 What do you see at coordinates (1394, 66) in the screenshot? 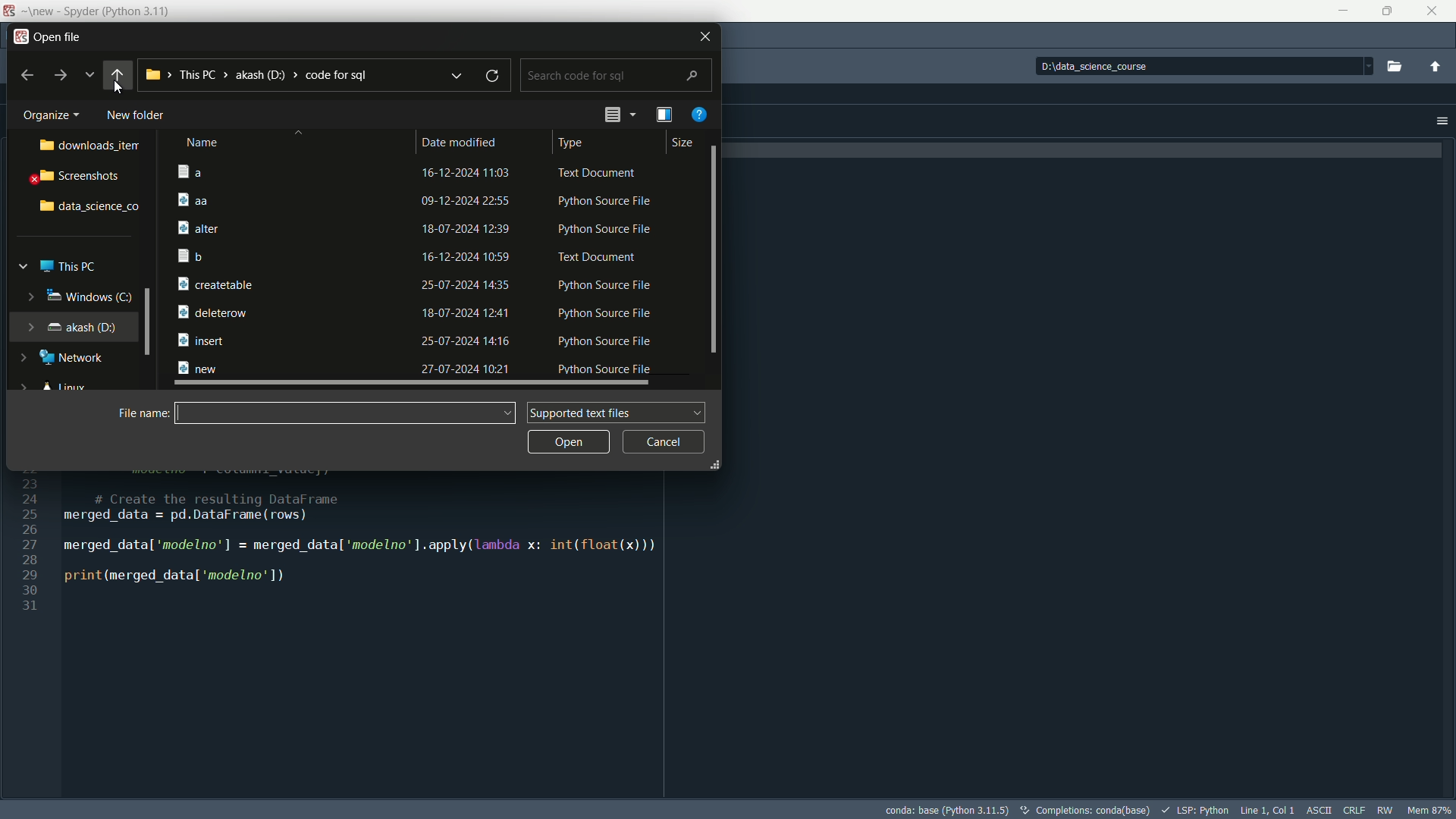
I see `Browse a working directory` at bounding box center [1394, 66].